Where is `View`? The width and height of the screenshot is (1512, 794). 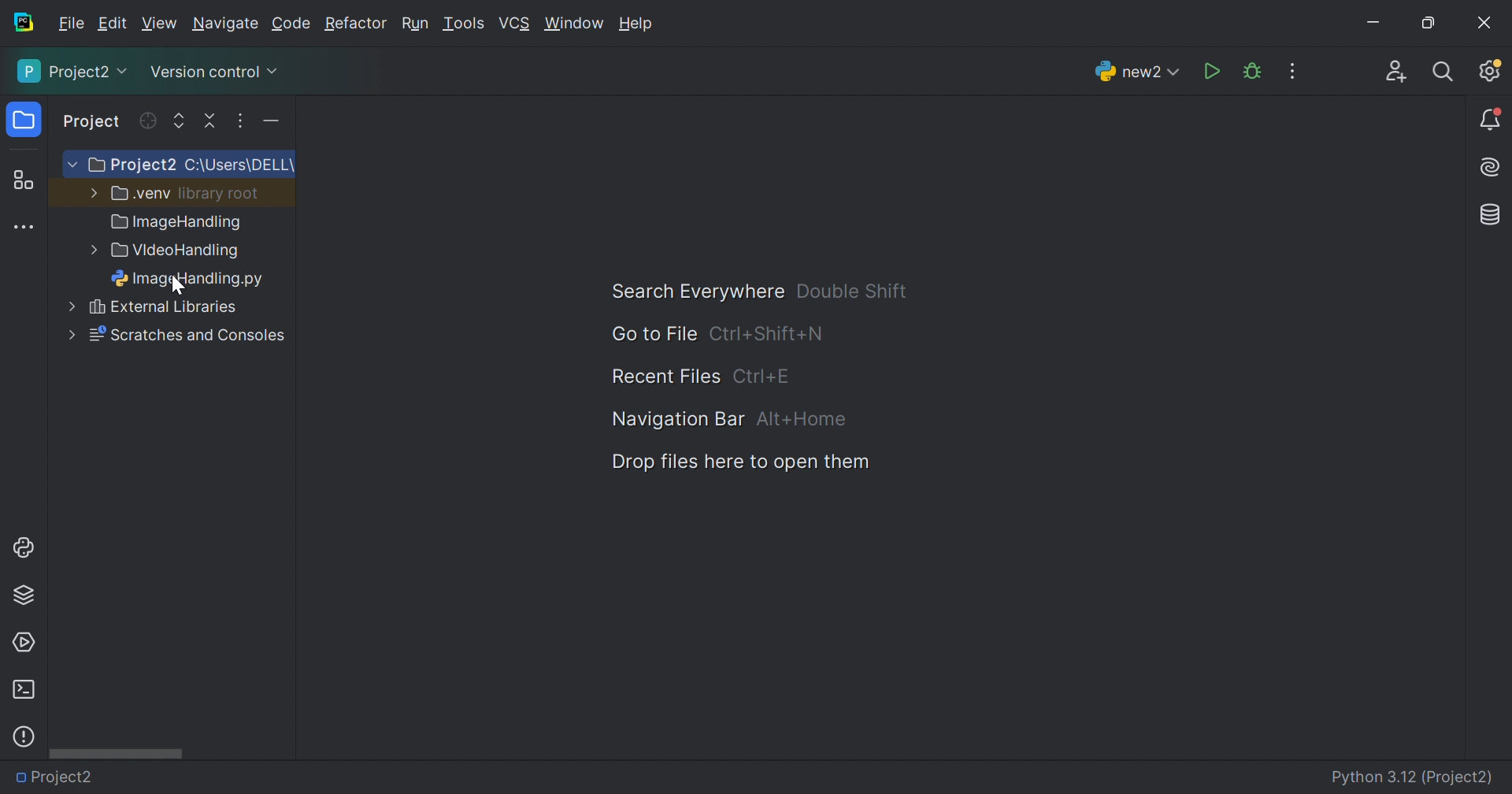 View is located at coordinates (161, 24).